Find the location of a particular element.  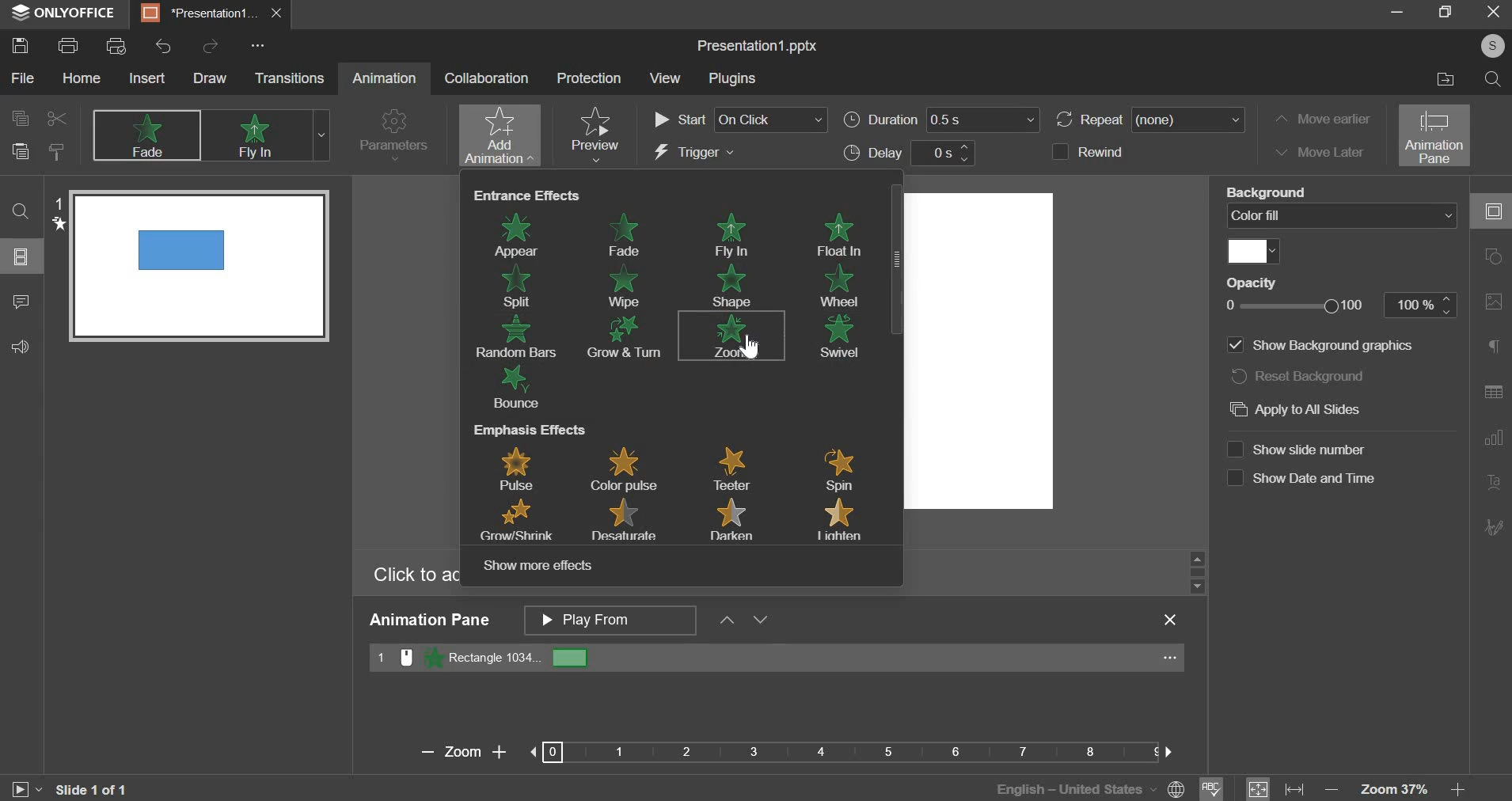

wipe is located at coordinates (626, 287).